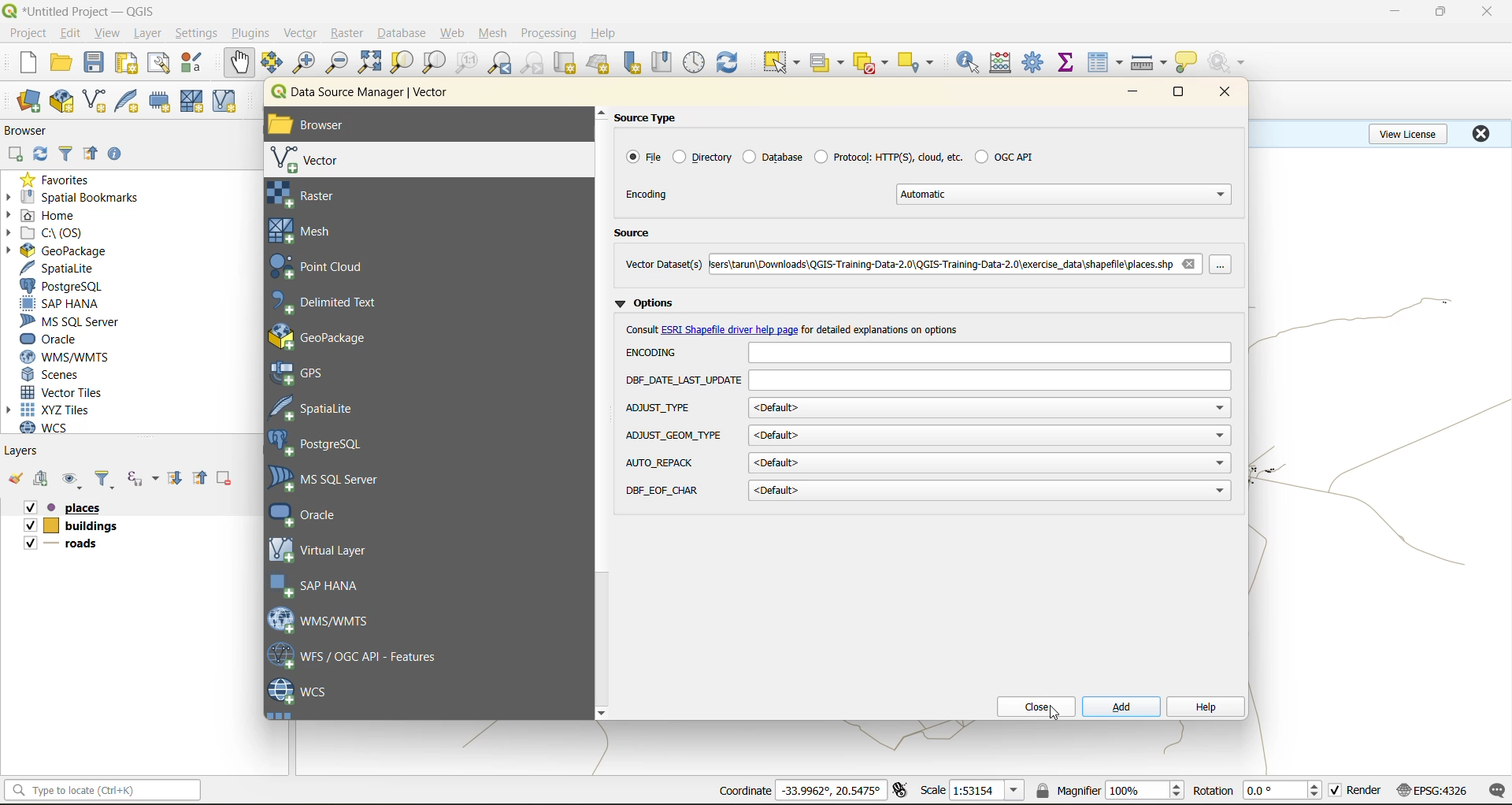  I want to click on open, so click(15, 479).